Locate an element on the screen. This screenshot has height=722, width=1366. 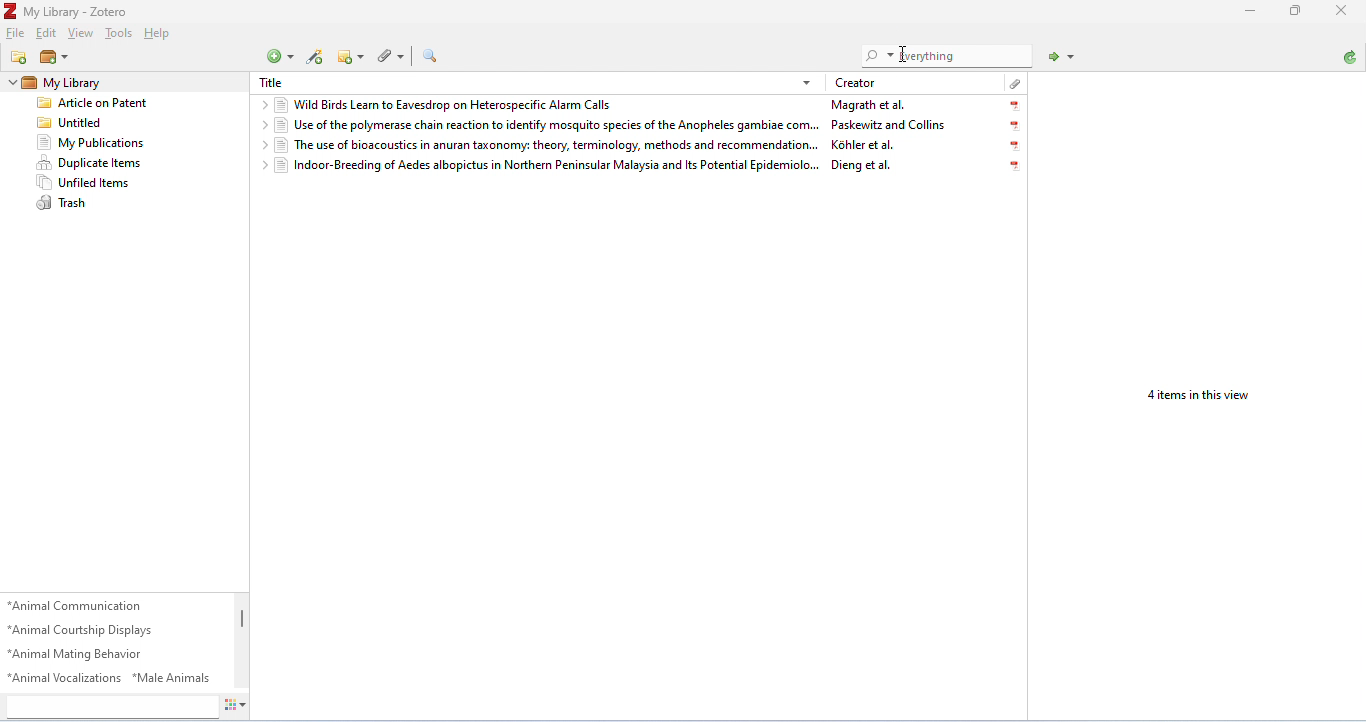
Add Item by Identifier is located at coordinates (313, 58).